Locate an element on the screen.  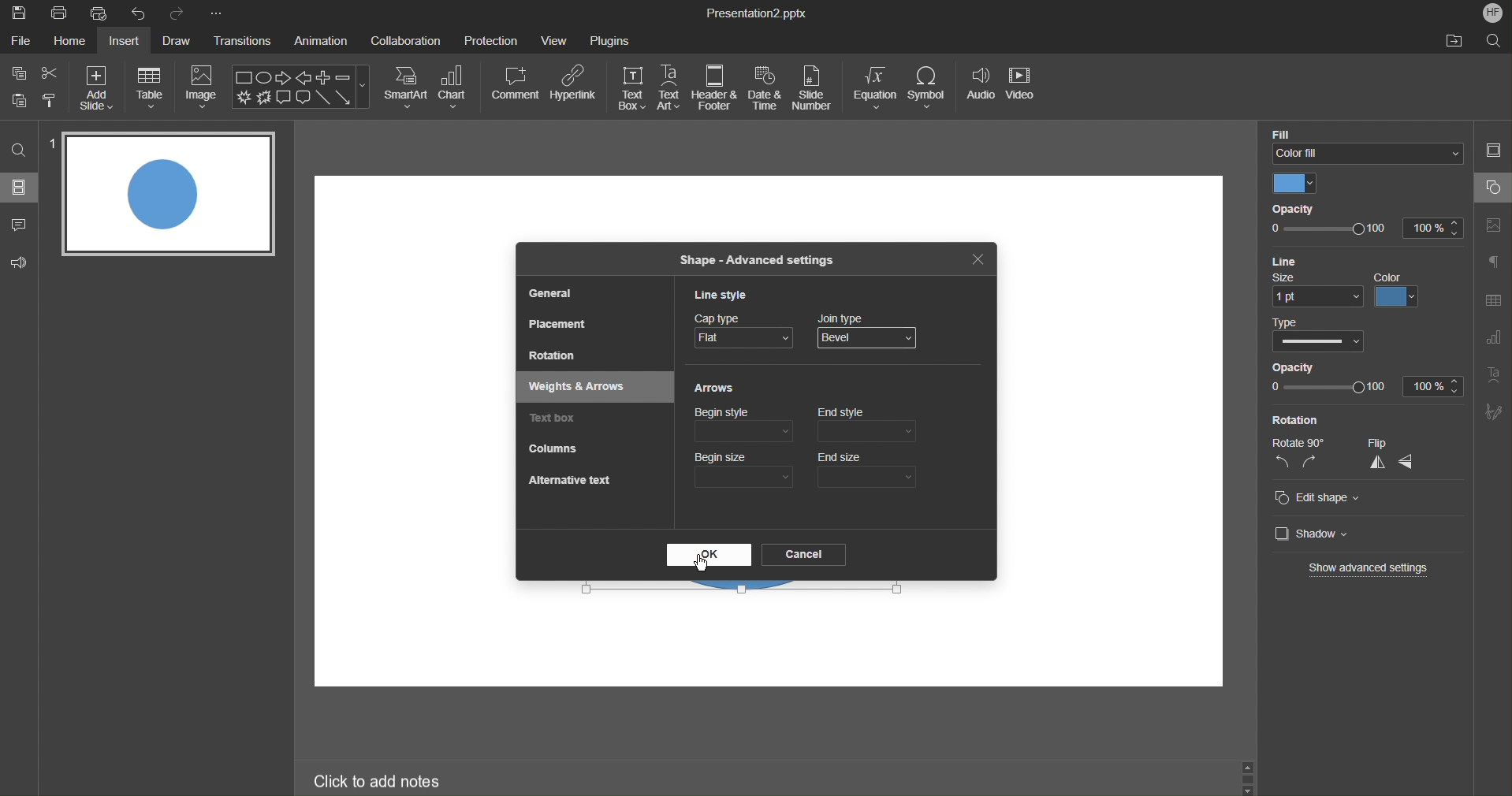
Video is located at coordinates (1023, 90).